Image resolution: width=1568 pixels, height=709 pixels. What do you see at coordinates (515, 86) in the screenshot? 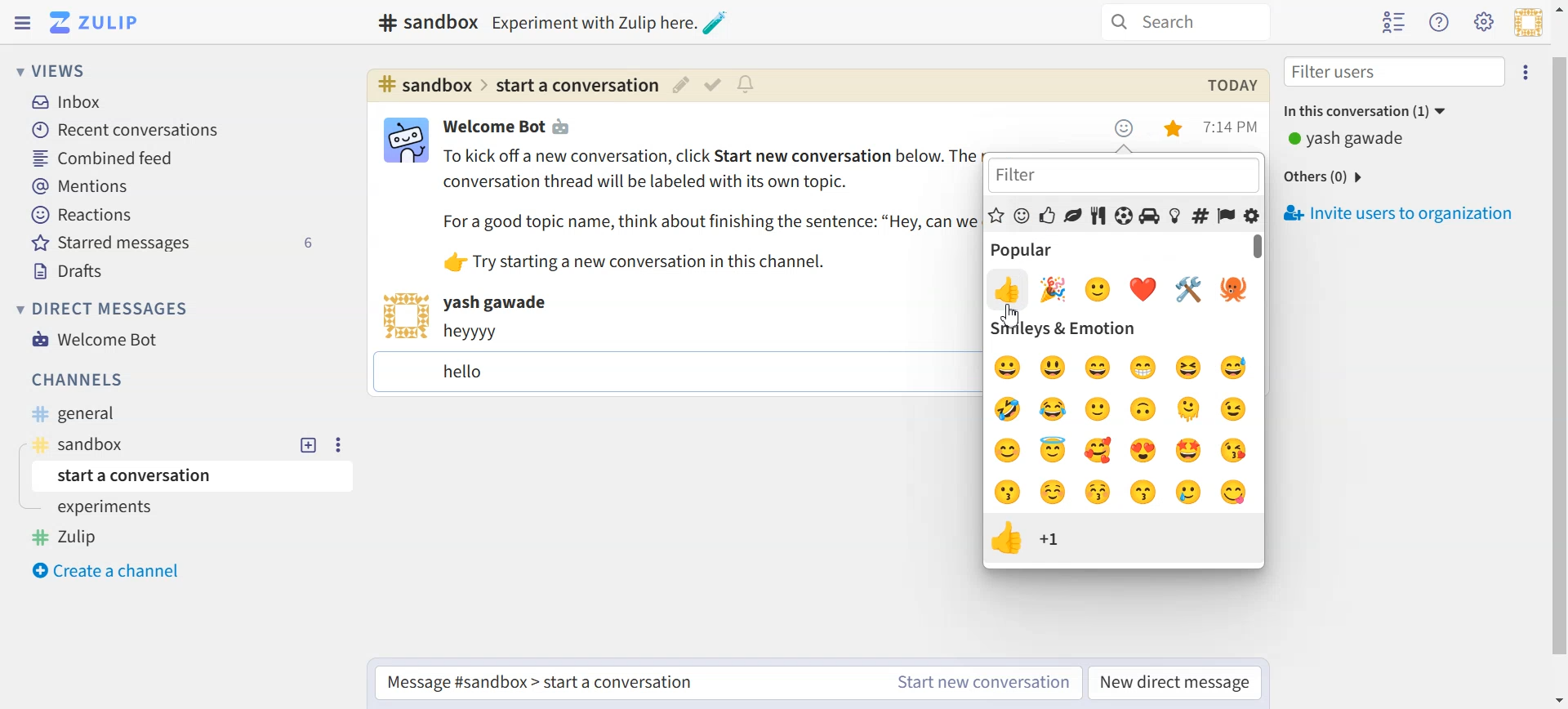
I see `Hyperlink` at bounding box center [515, 86].